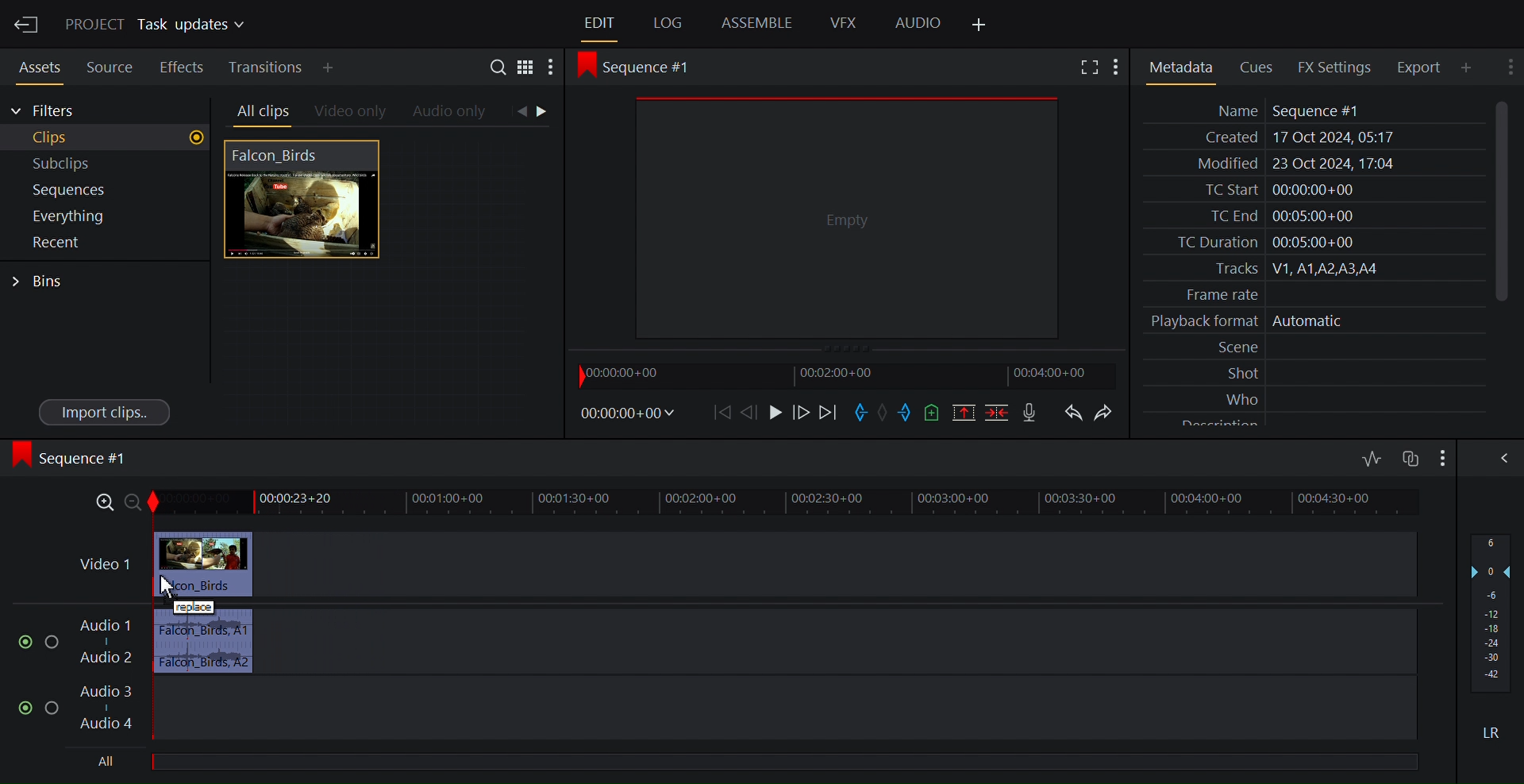  I want to click on Nudge one frame back, so click(802, 414).